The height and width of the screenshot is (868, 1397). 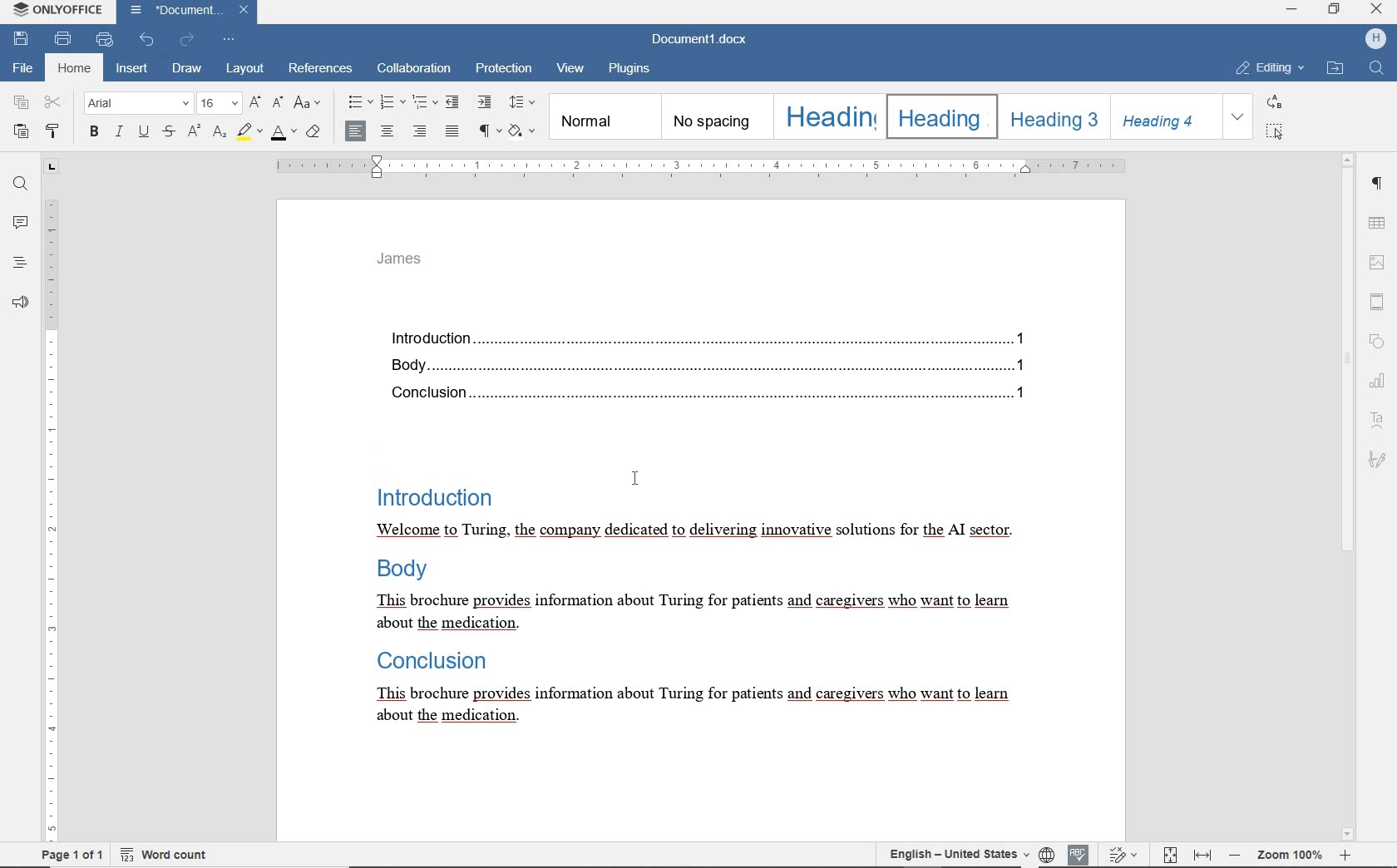 I want to click on normal, so click(x=604, y=116).